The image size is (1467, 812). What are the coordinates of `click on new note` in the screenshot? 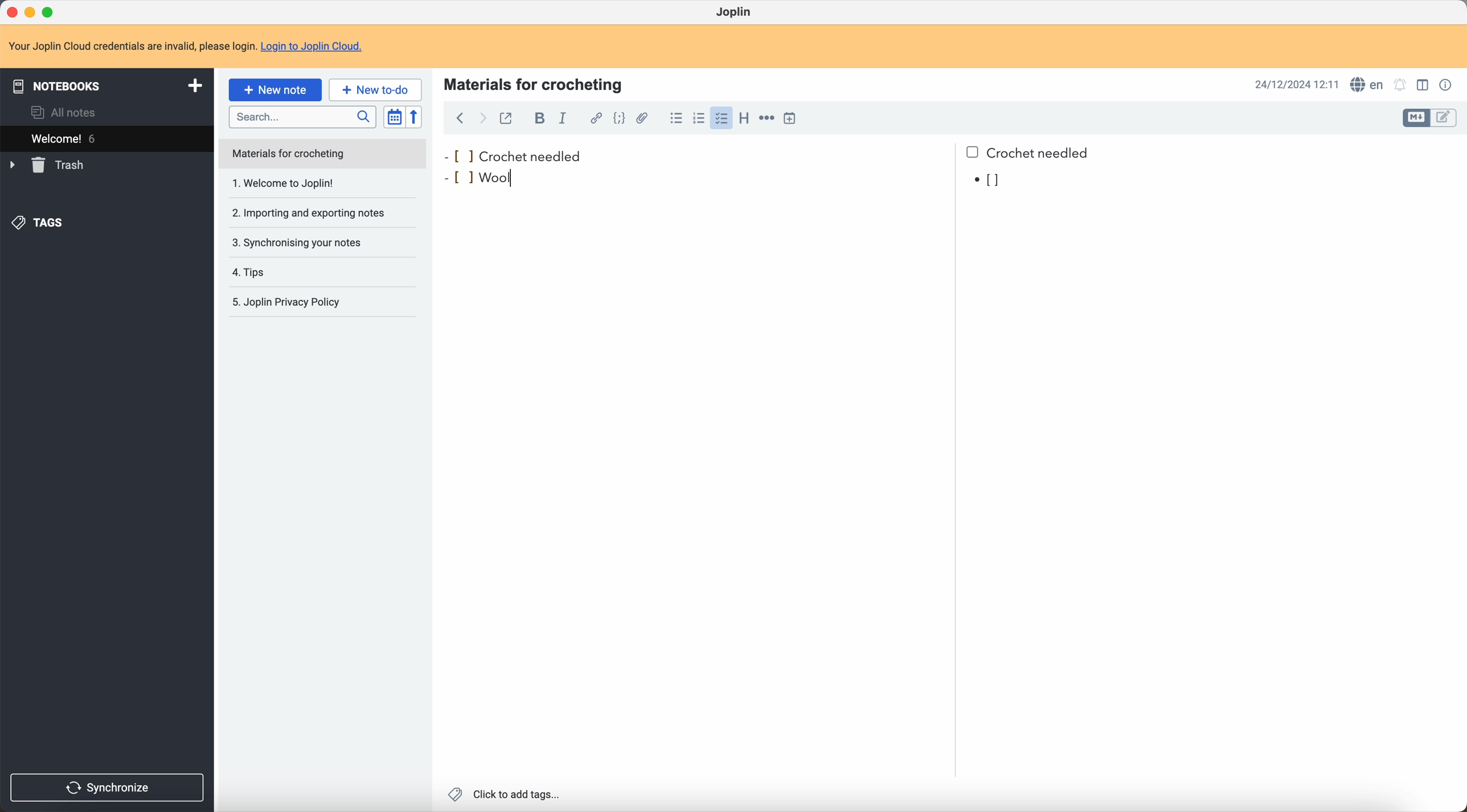 It's located at (276, 89).